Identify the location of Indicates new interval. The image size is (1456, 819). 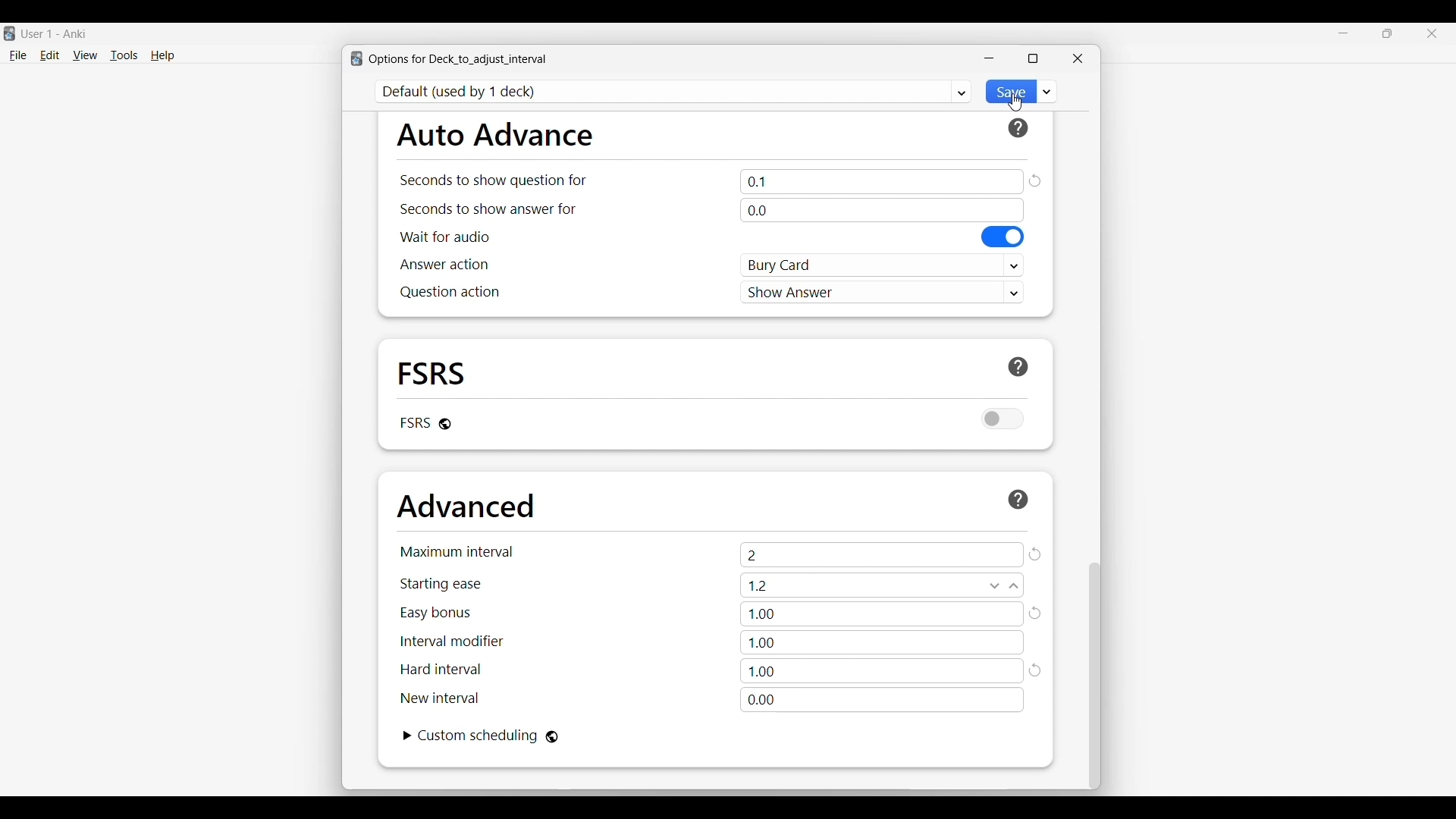
(439, 698).